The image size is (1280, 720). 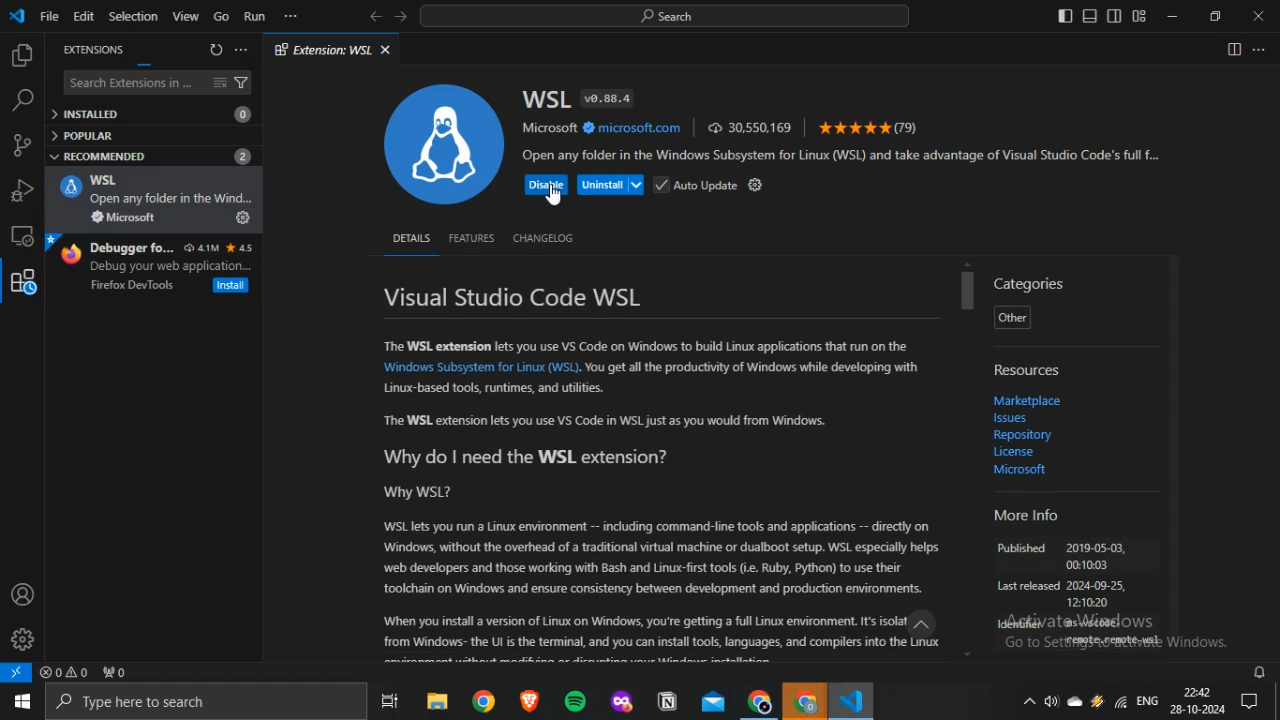 I want to click on RECOMMENDED, so click(x=152, y=156).